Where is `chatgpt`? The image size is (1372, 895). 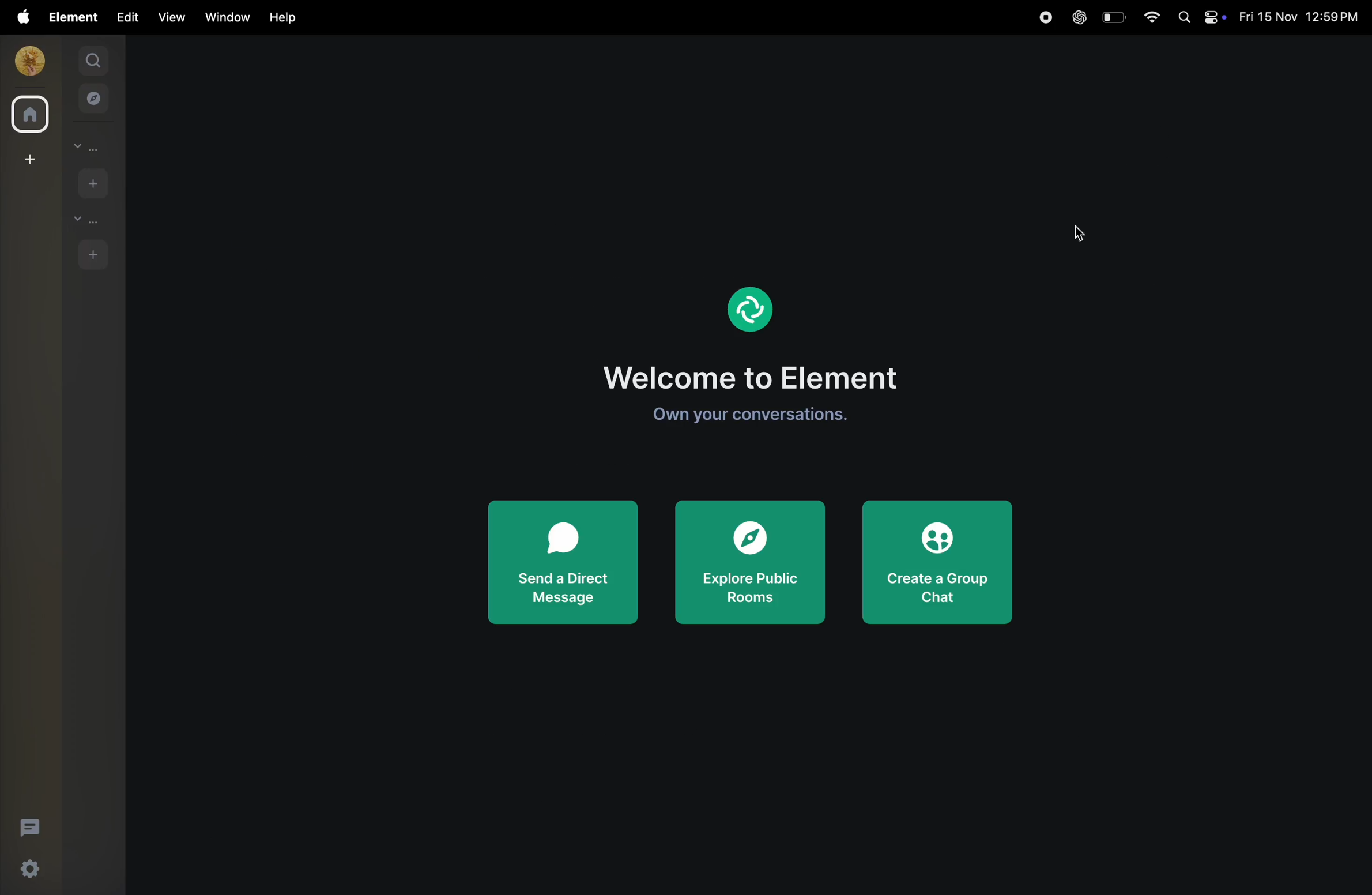 chatgpt is located at coordinates (1077, 18).